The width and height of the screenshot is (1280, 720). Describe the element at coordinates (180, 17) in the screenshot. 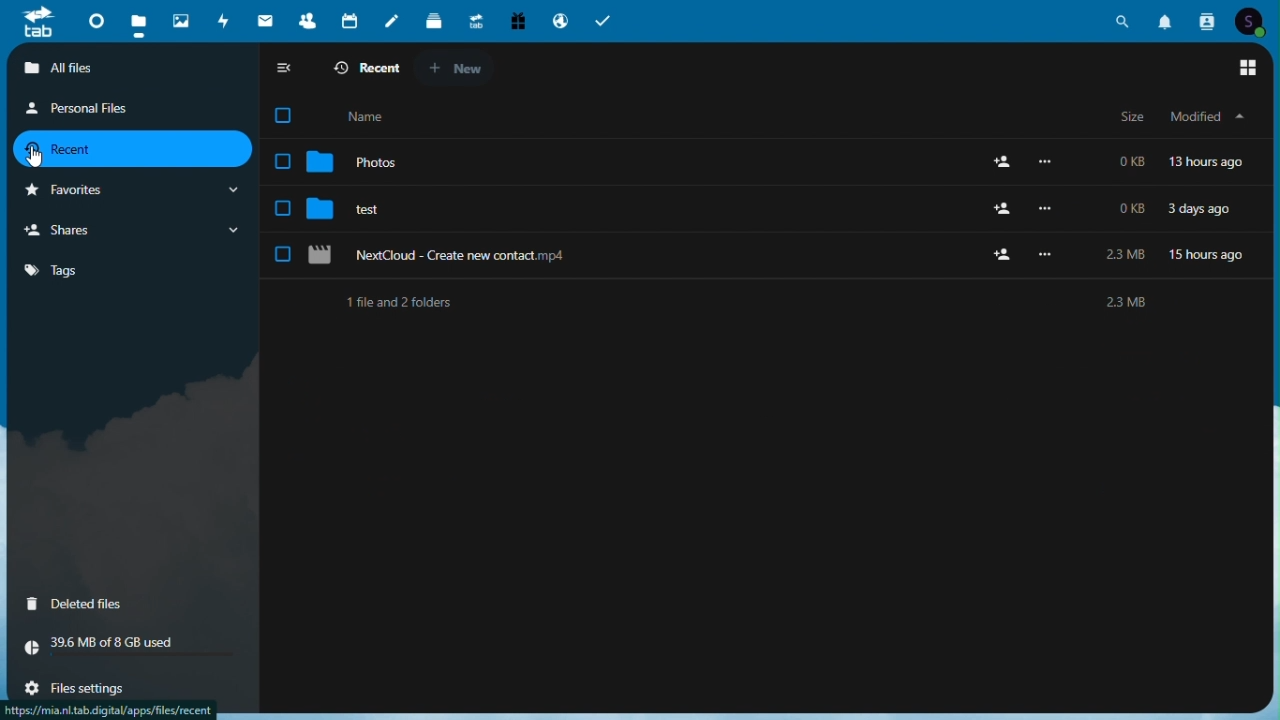

I see `photos` at that location.